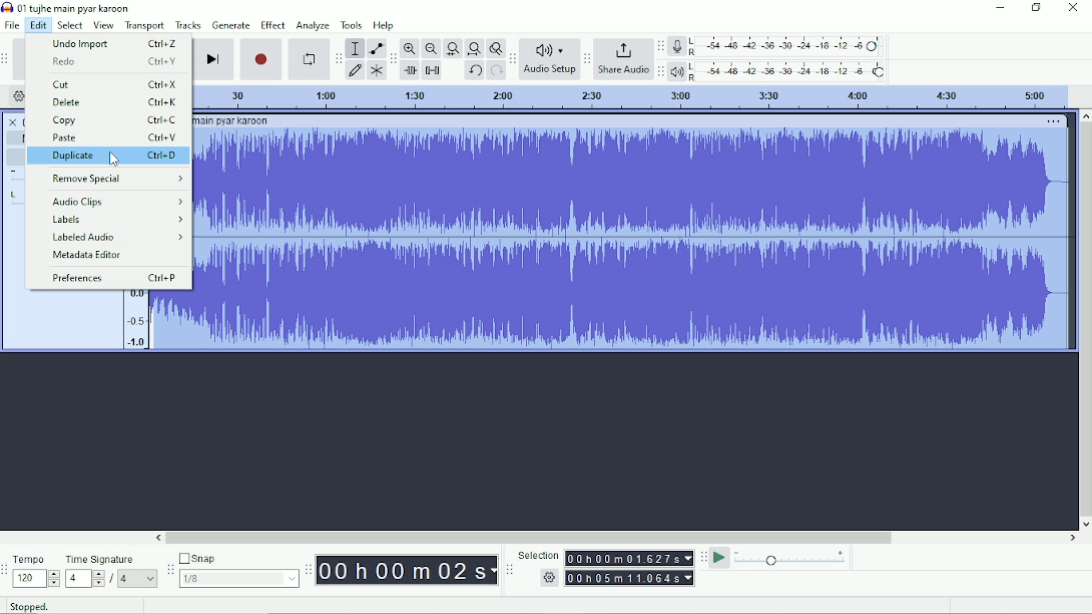 This screenshot has height=614, width=1092. Describe the element at coordinates (623, 59) in the screenshot. I see `Share Audio` at that location.